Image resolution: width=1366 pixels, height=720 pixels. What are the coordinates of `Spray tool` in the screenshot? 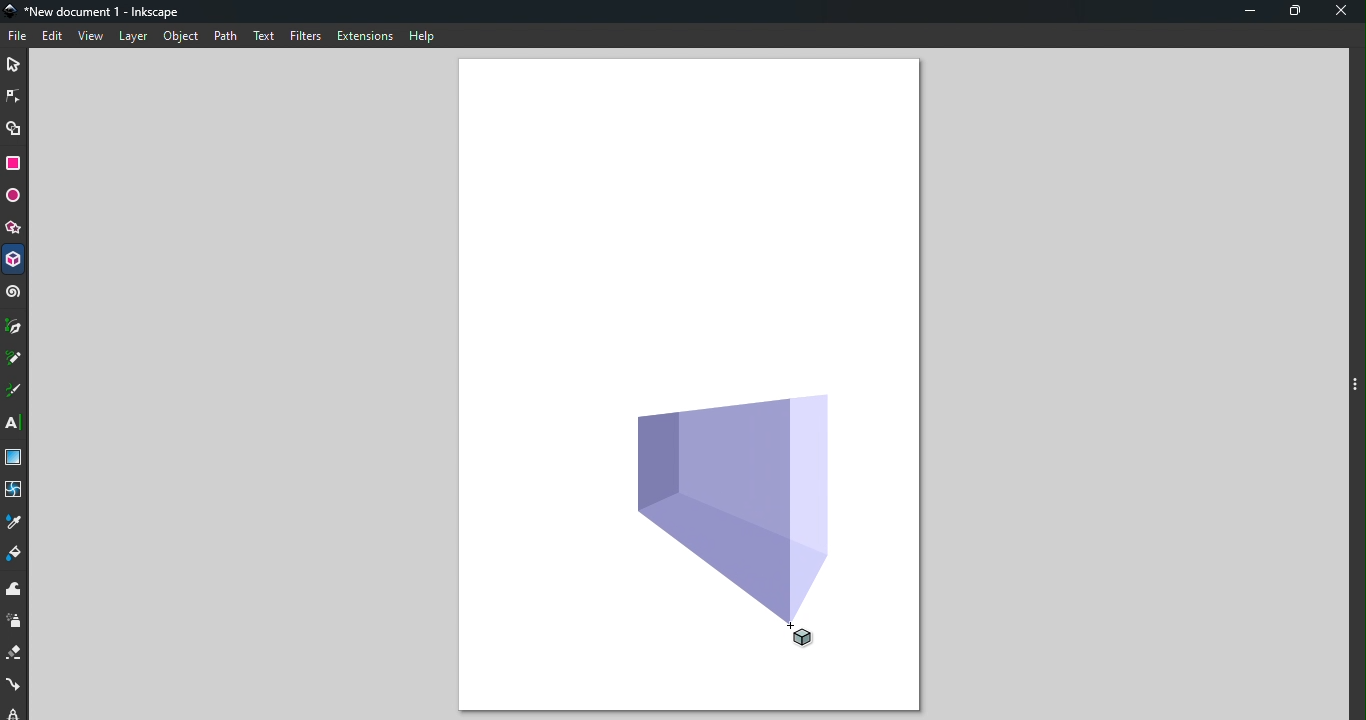 It's located at (15, 624).